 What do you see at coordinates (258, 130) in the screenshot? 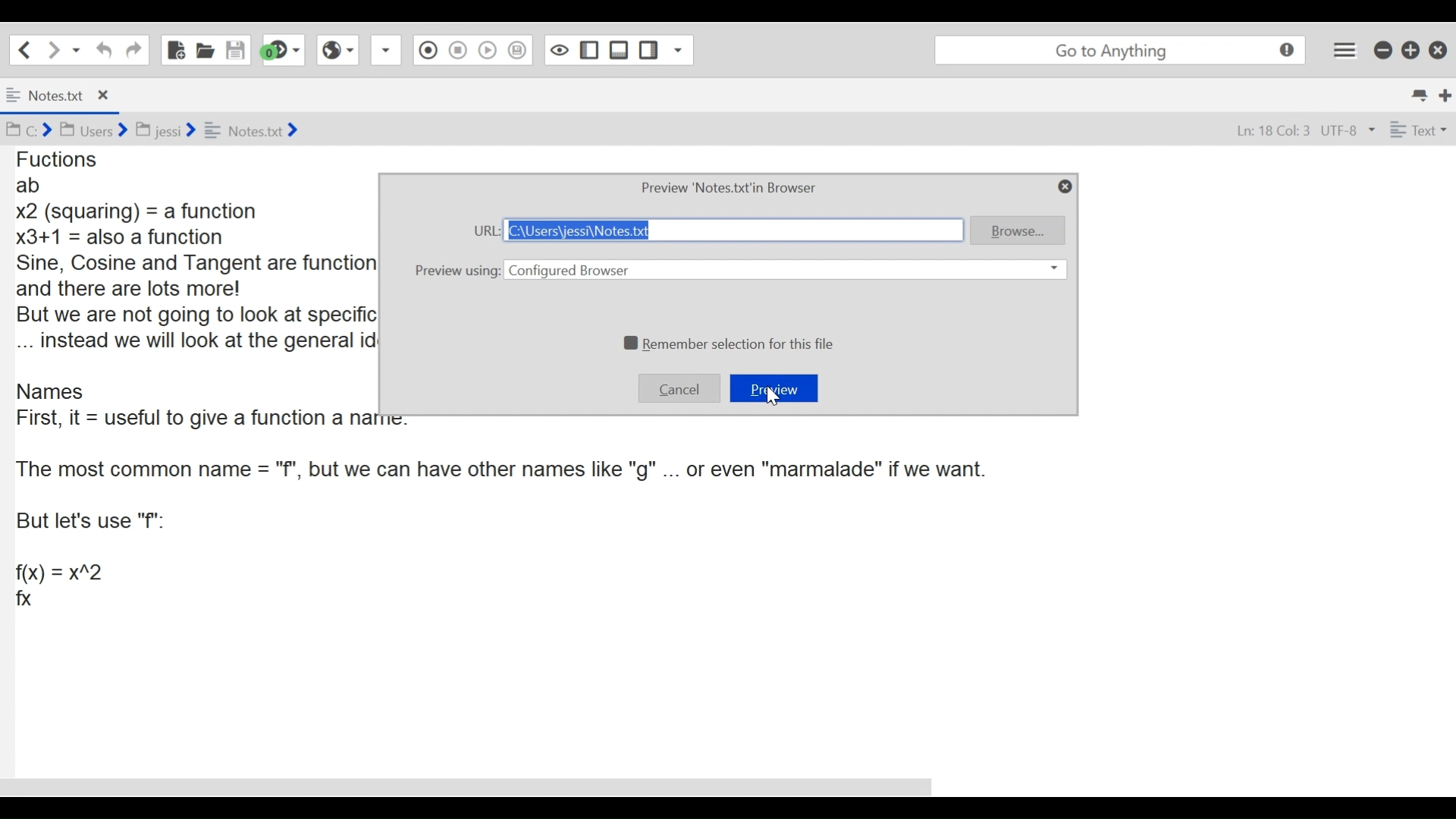
I see ` Notes.txt` at bounding box center [258, 130].